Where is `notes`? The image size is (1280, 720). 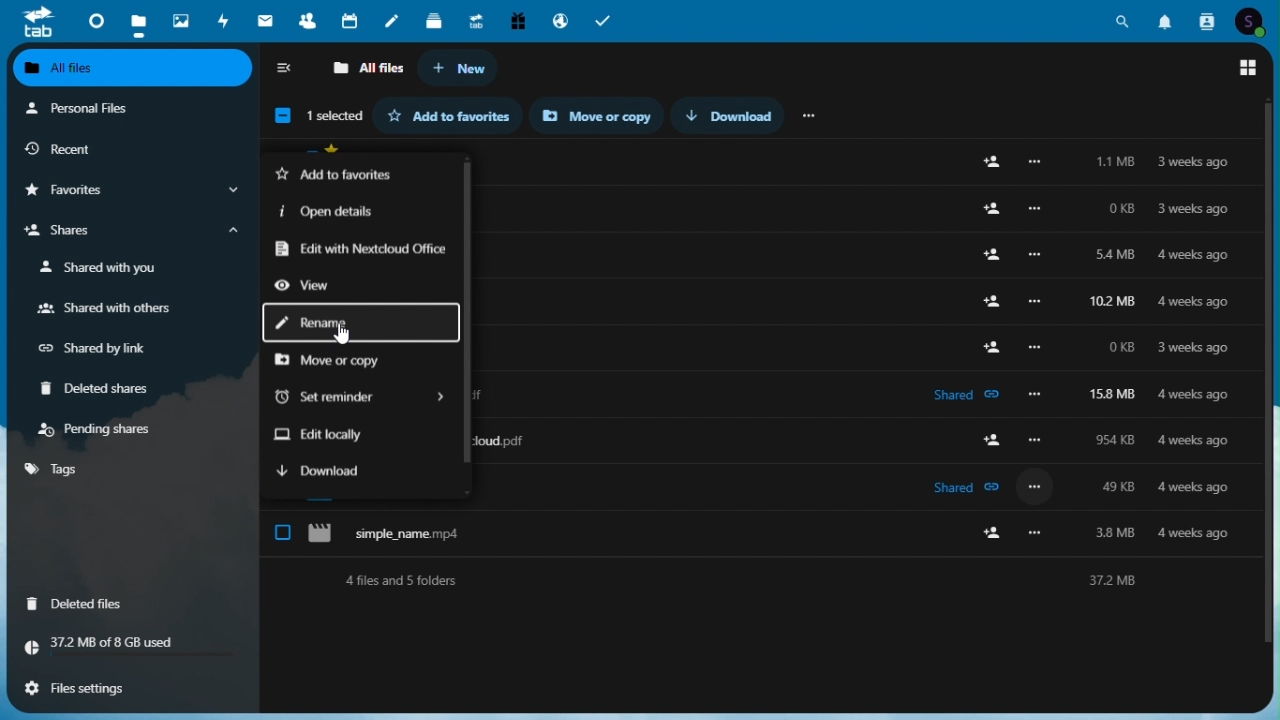 notes is located at coordinates (395, 17).